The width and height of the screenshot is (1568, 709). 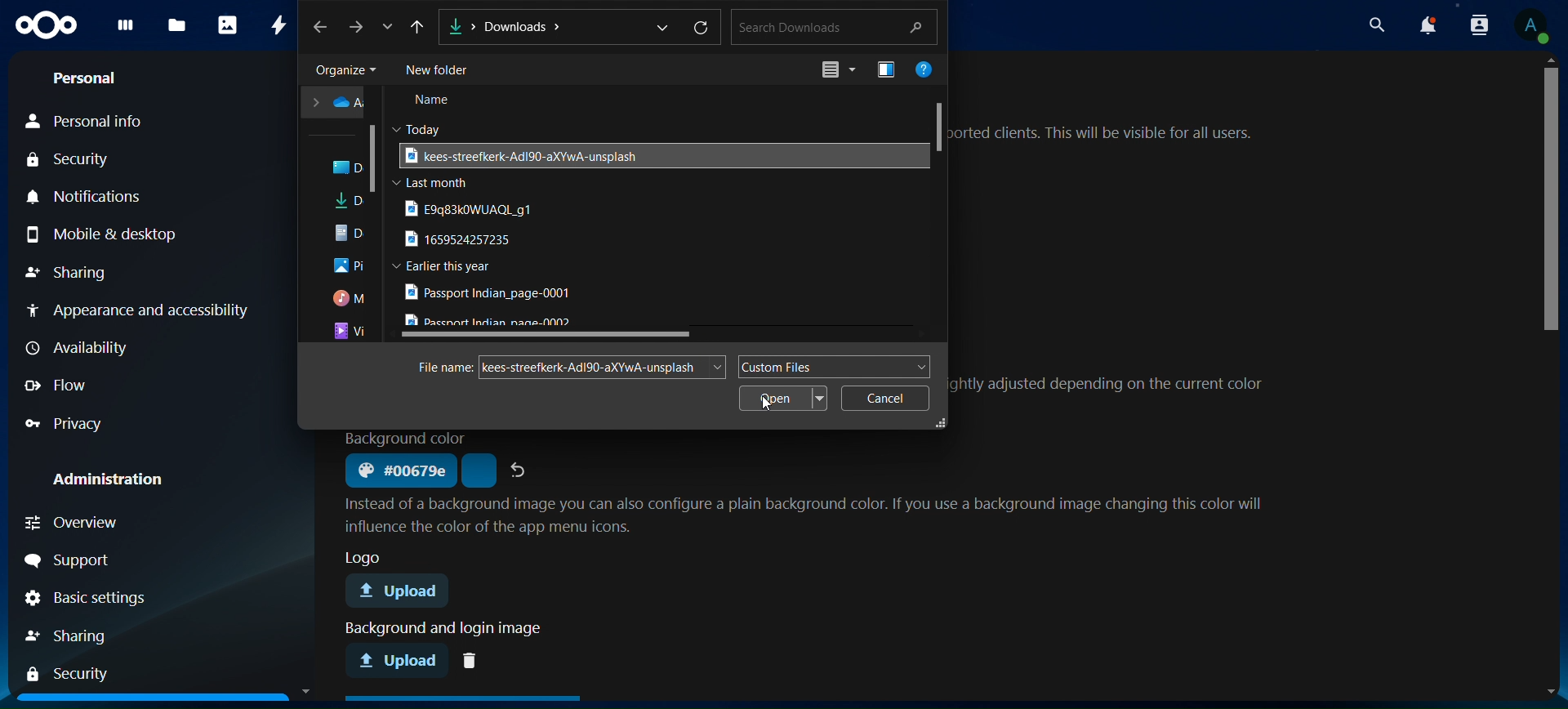 I want to click on scroll bar, so click(x=940, y=126).